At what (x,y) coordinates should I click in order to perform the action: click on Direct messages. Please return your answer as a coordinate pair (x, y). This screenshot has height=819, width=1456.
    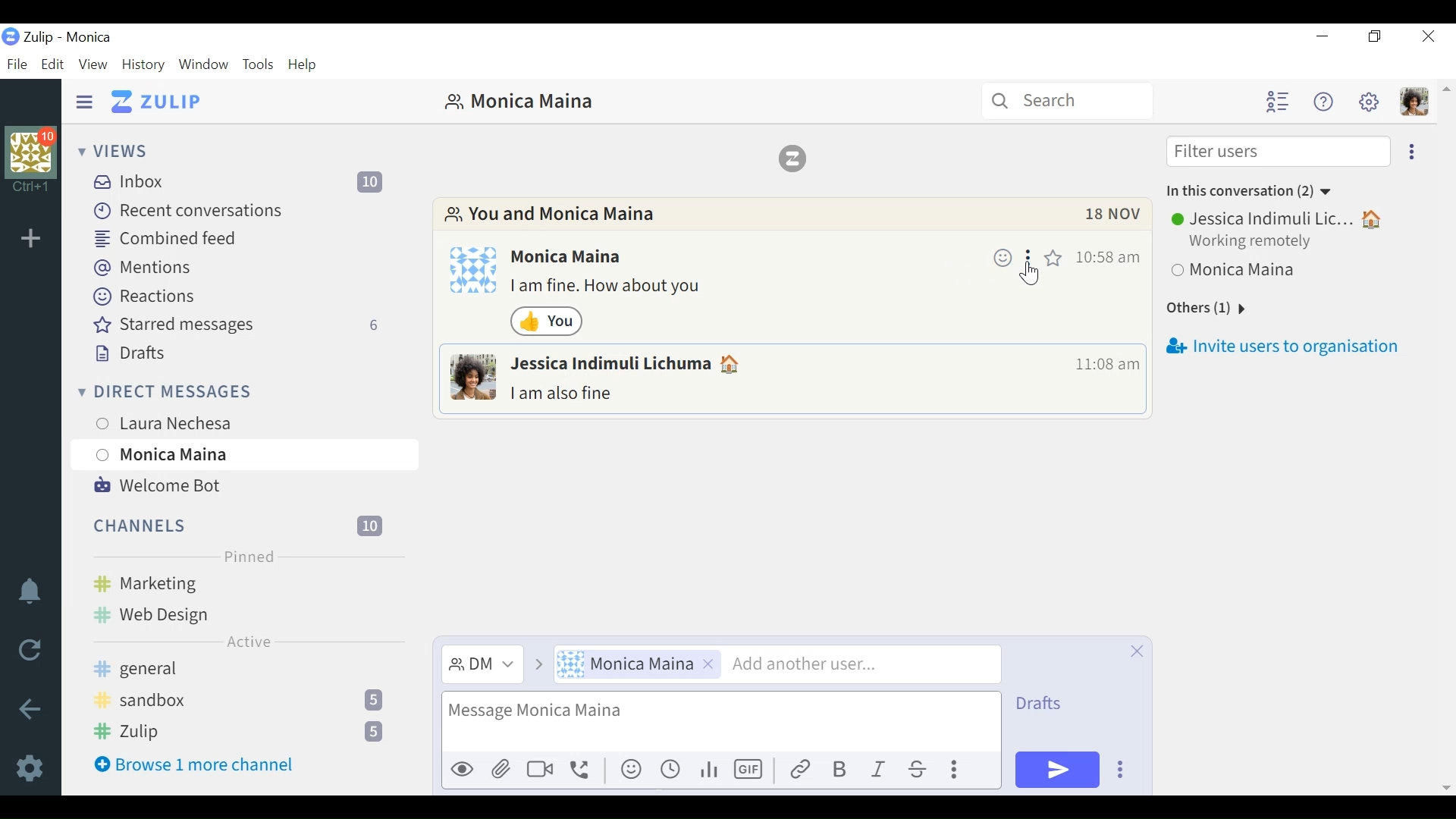
    Looking at the image, I should click on (202, 391).